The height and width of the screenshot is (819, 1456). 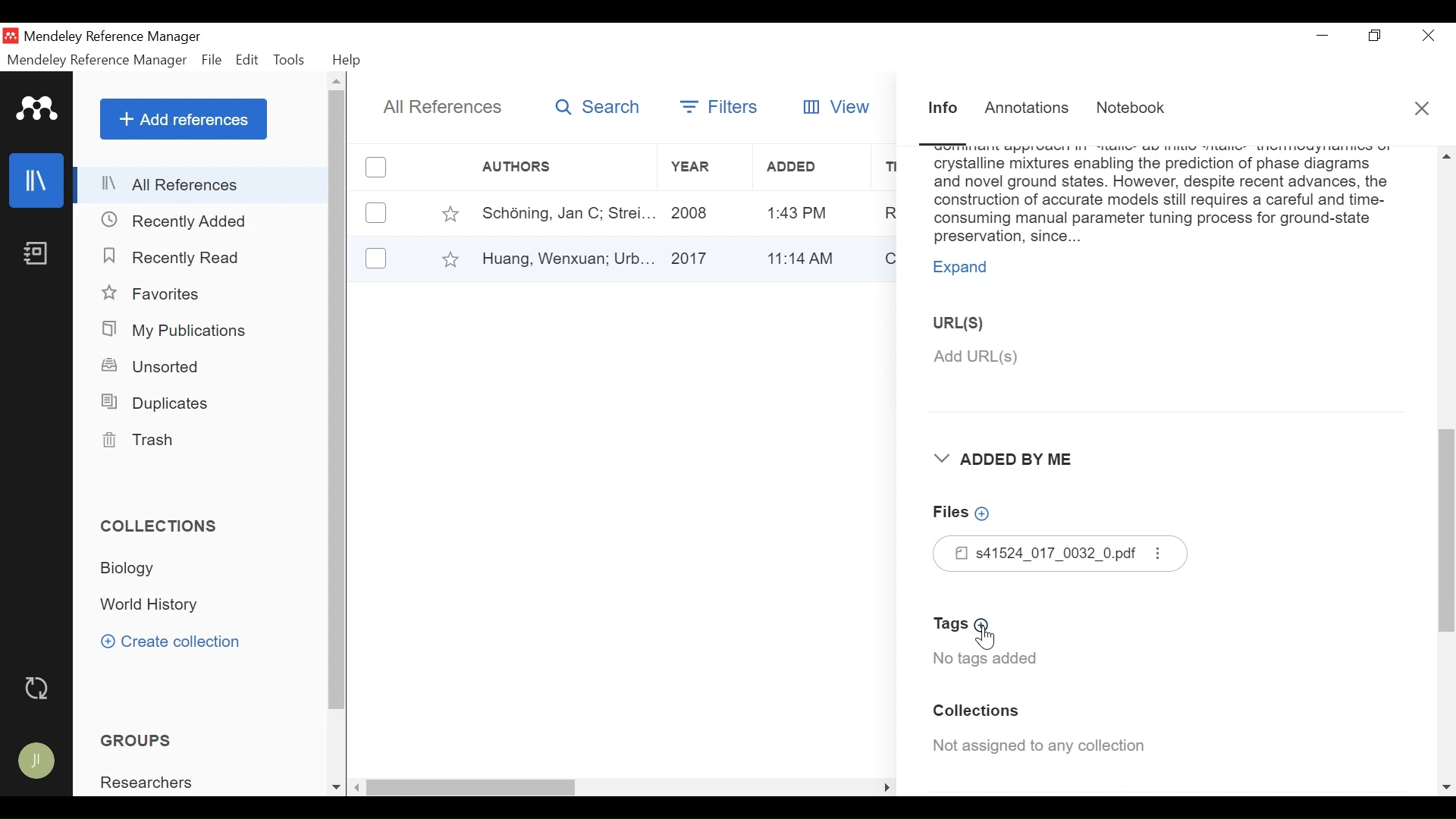 What do you see at coordinates (176, 222) in the screenshot?
I see `Recently Added` at bounding box center [176, 222].